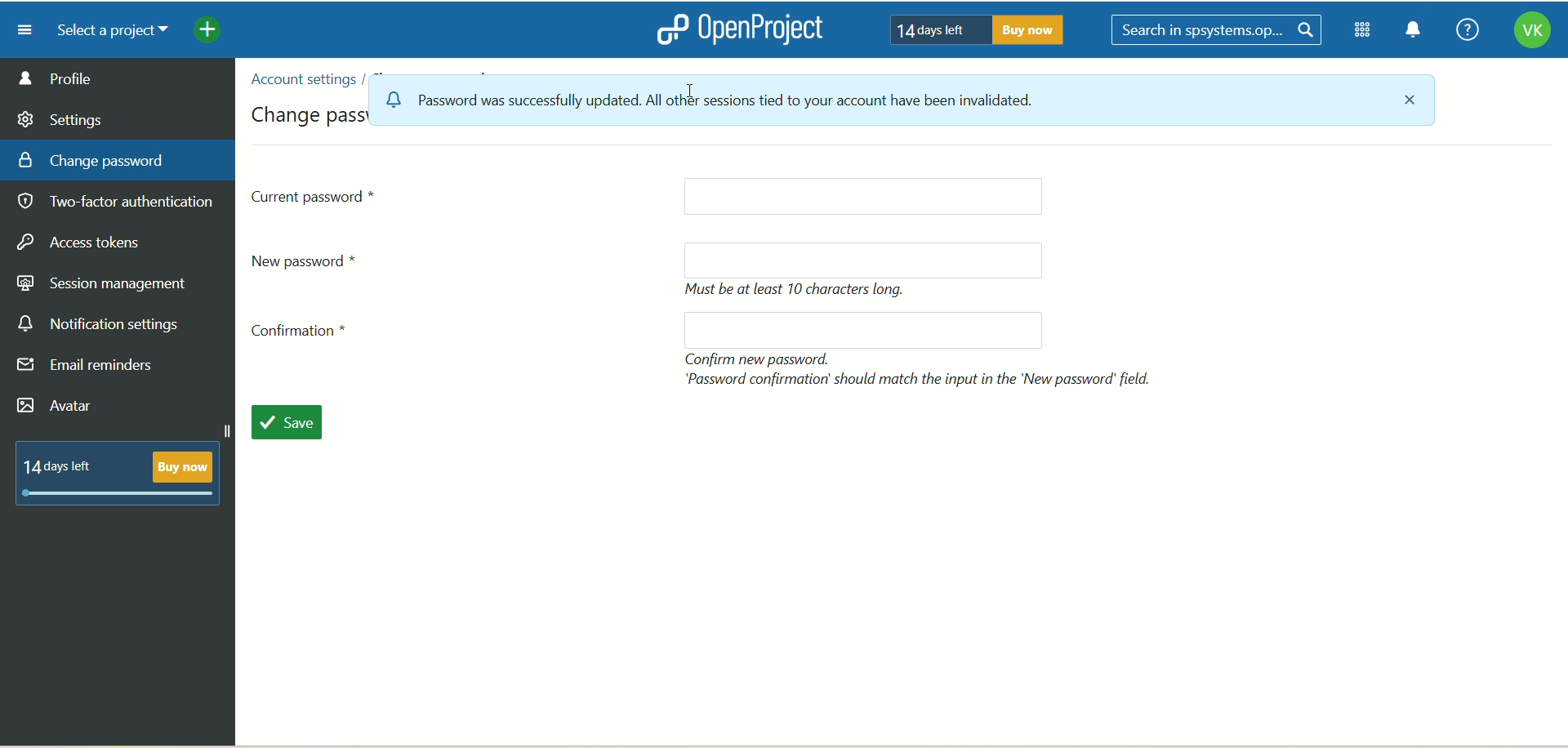  I want to click on avatar, so click(58, 407).